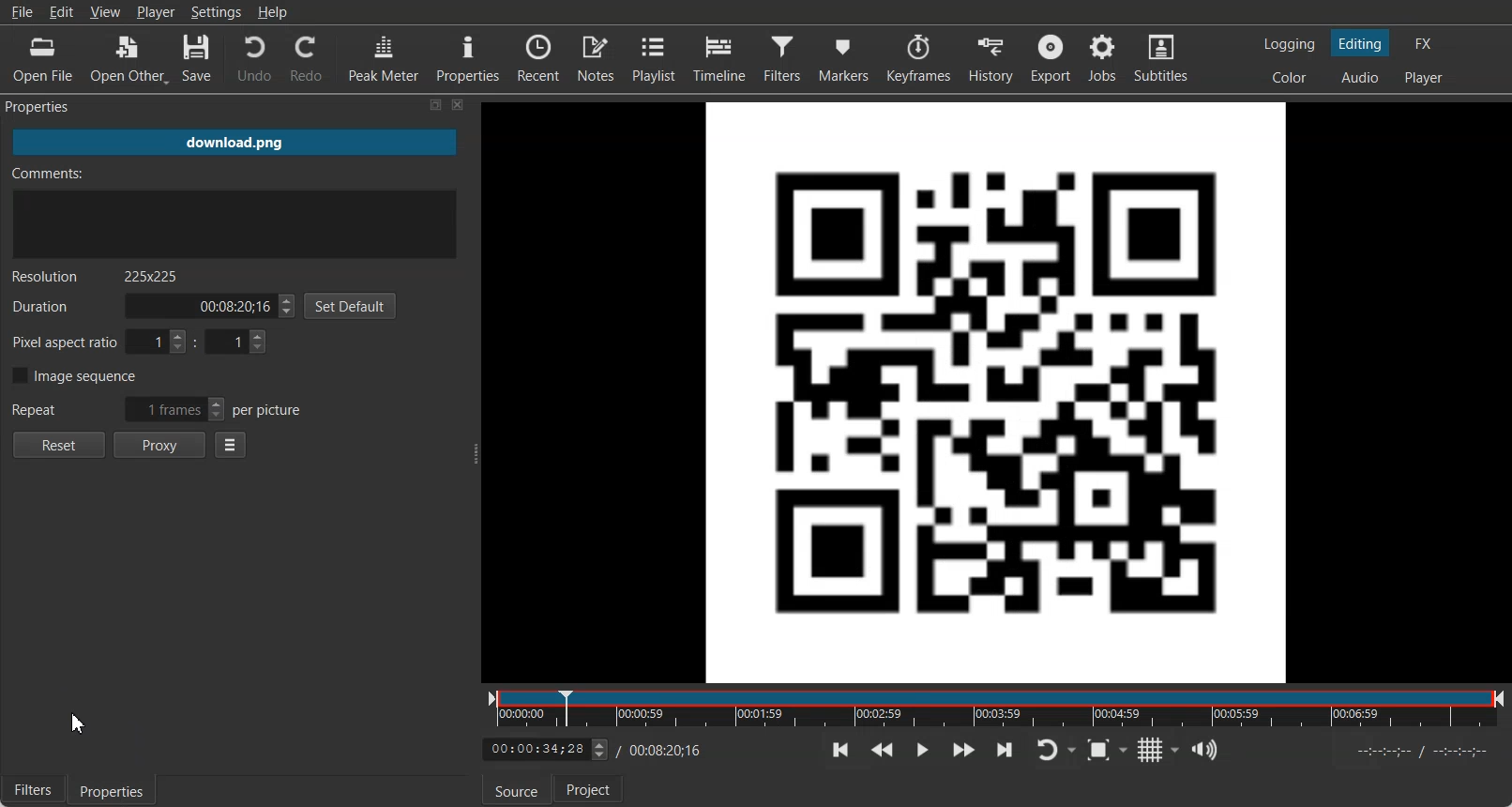 This screenshot has width=1512, height=807. What do you see at coordinates (383, 58) in the screenshot?
I see `Peak Meter` at bounding box center [383, 58].